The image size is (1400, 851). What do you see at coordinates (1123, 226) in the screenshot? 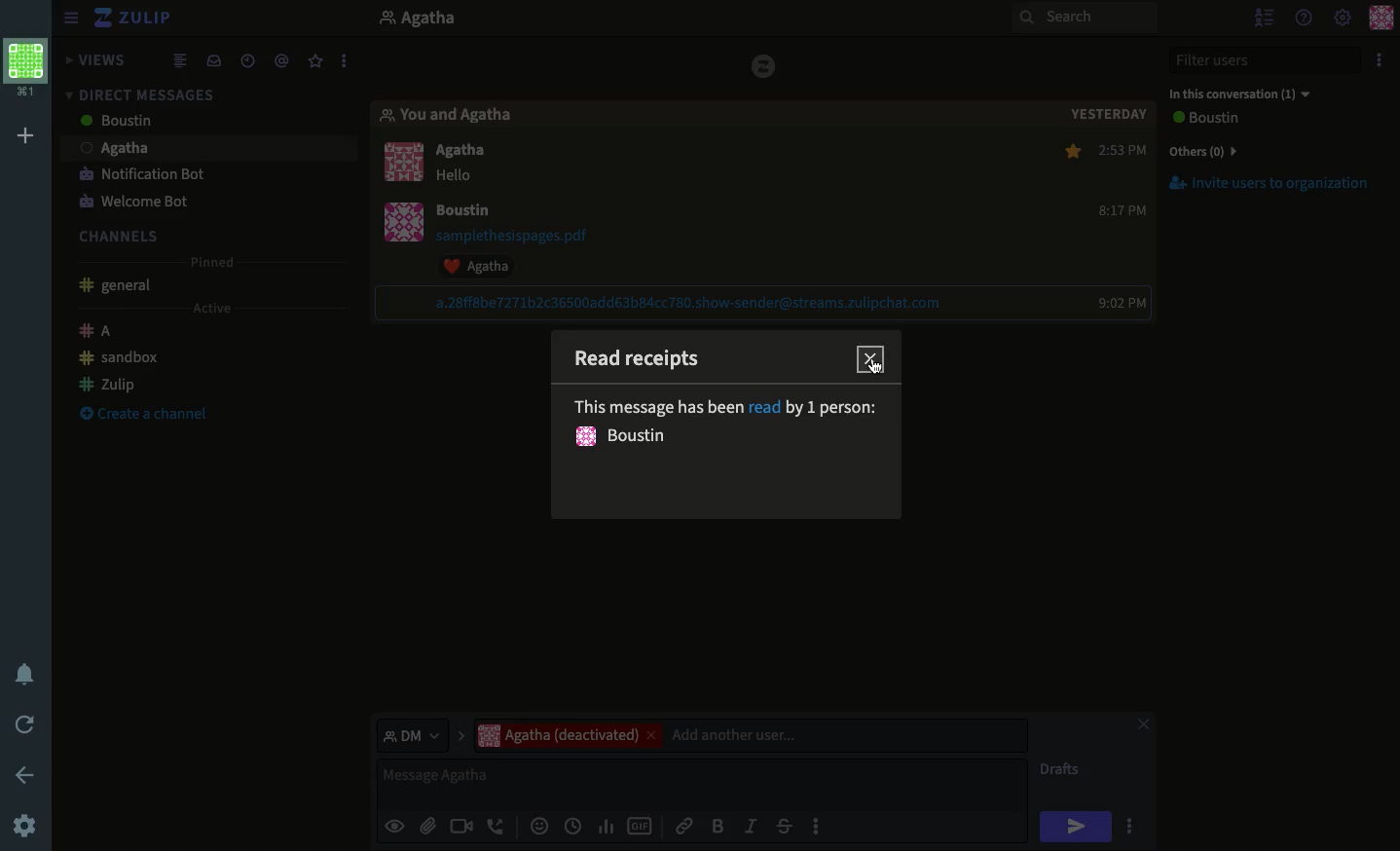
I see `Time` at bounding box center [1123, 226].